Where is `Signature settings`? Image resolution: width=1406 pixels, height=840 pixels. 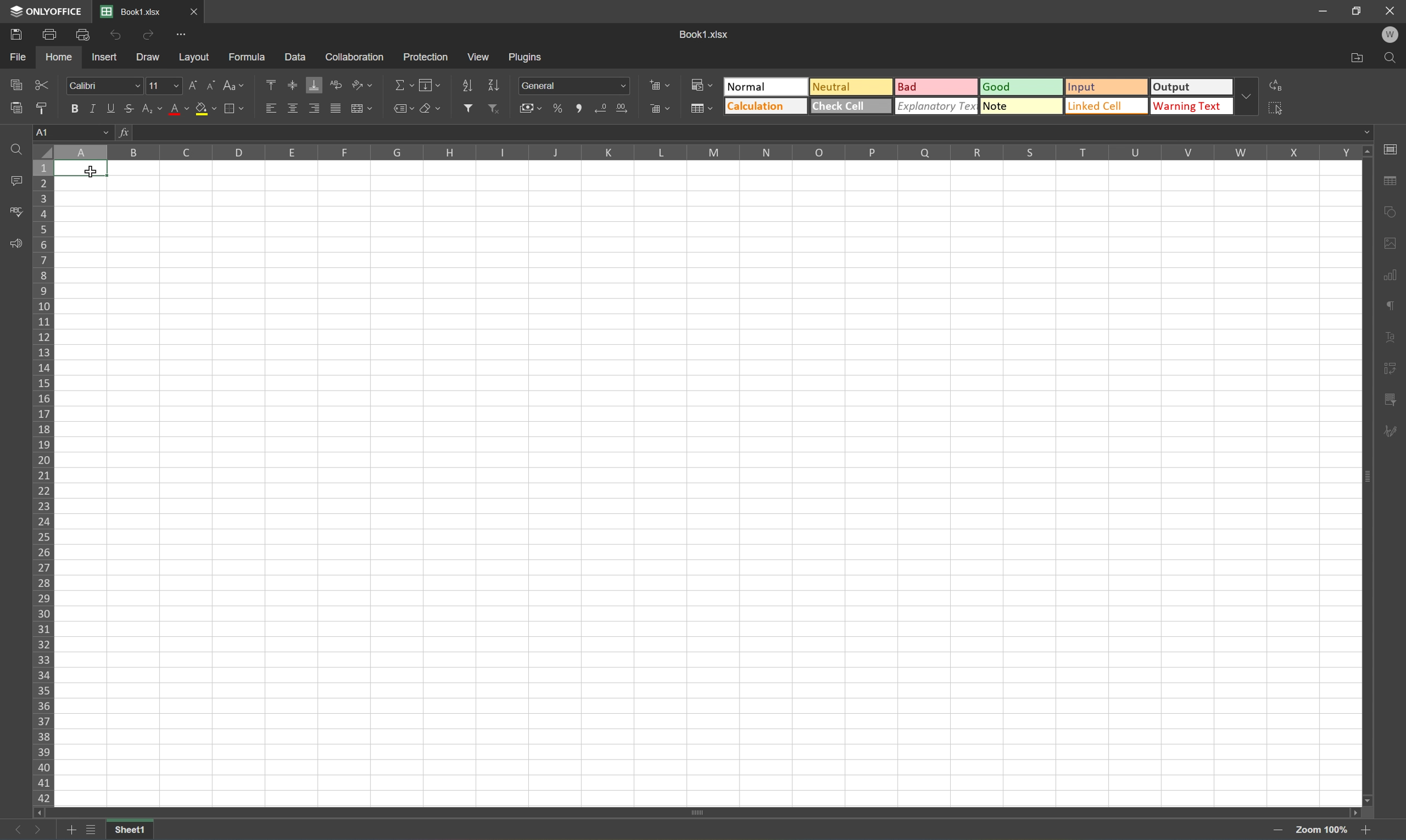 Signature settings is located at coordinates (1390, 436).